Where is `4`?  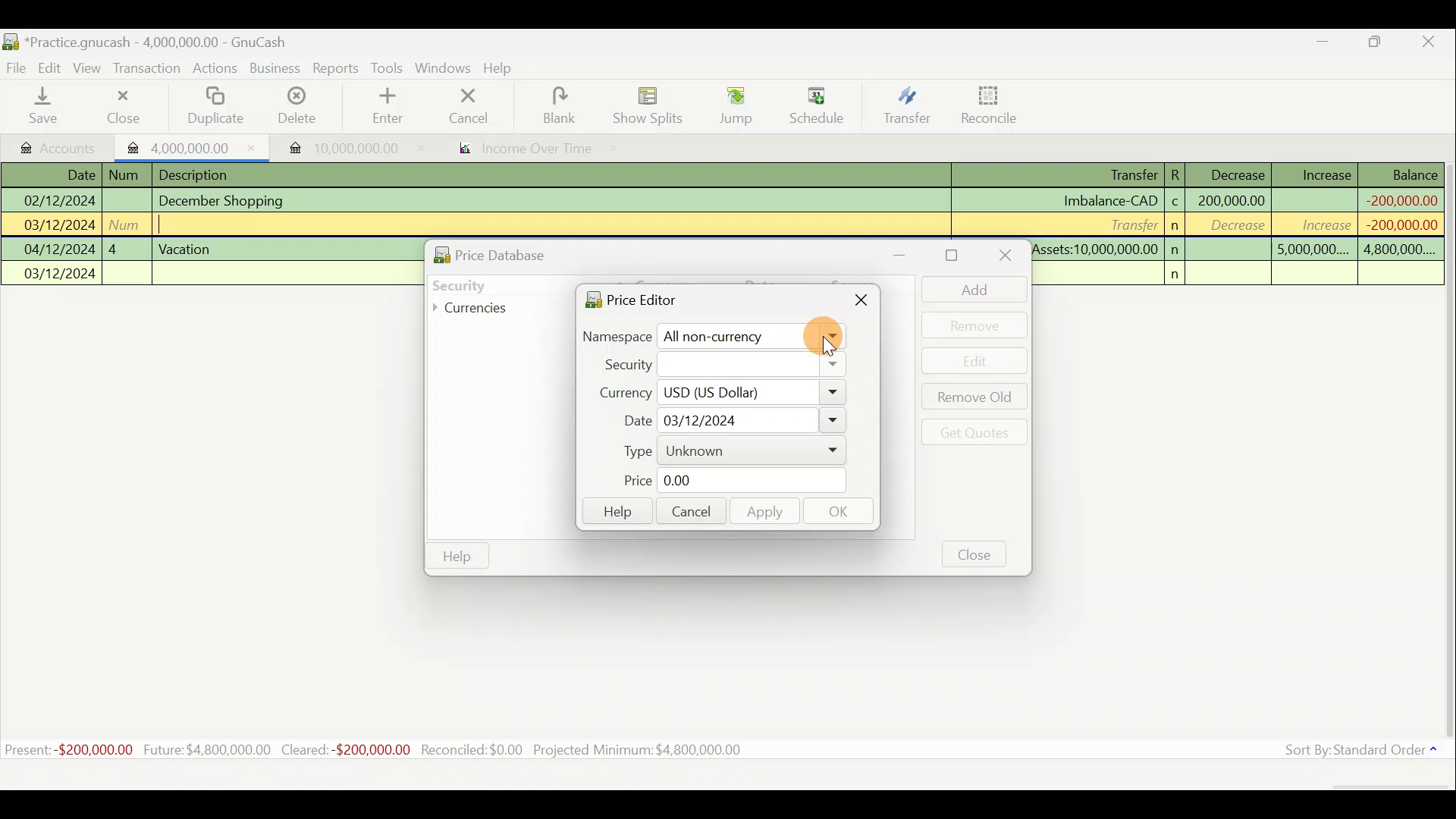
4 is located at coordinates (126, 247).